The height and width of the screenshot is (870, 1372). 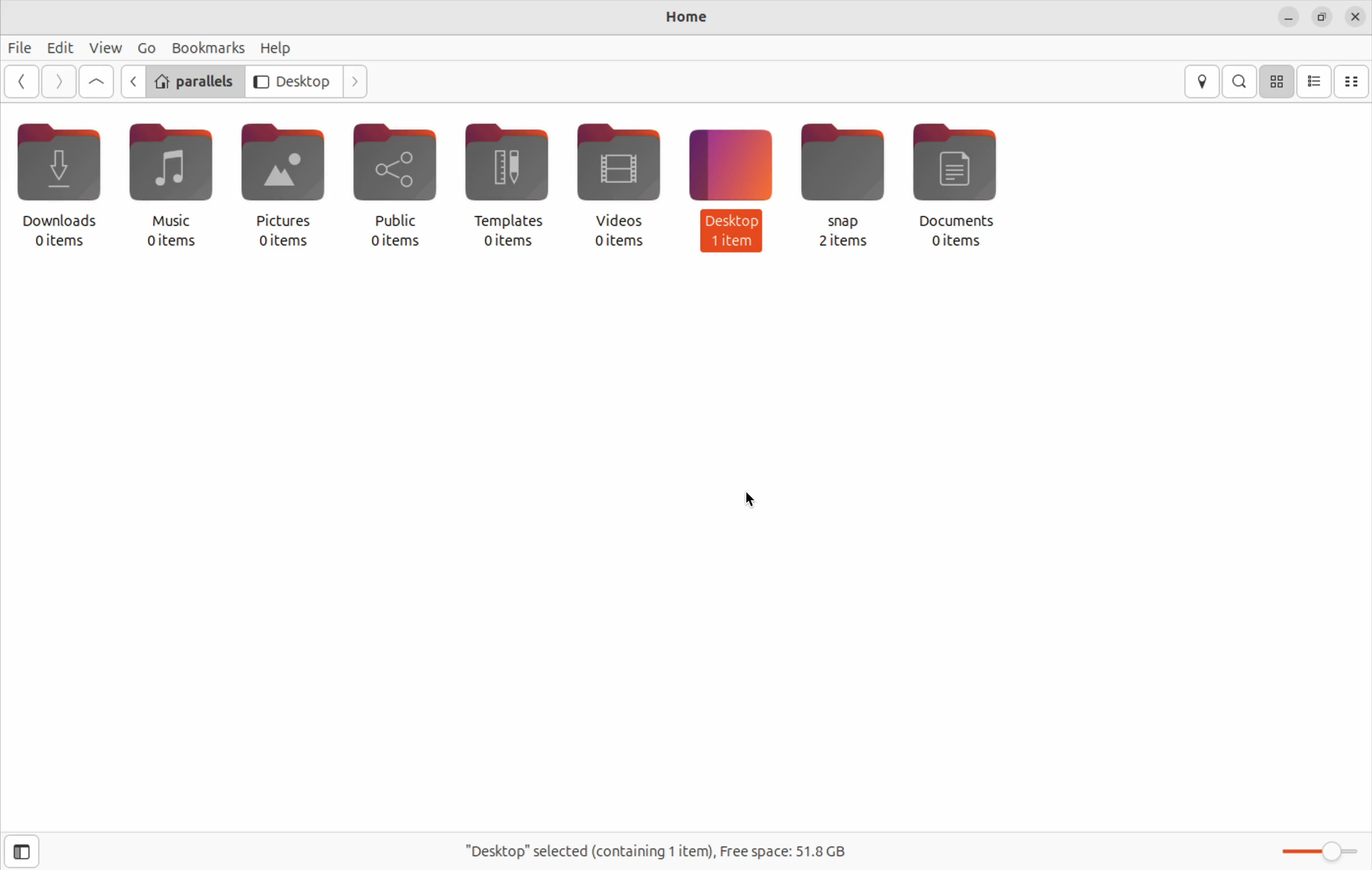 I want to click on "Desktop" selected (containing 1 item), Free space: 51.8GB, so click(x=654, y=849).